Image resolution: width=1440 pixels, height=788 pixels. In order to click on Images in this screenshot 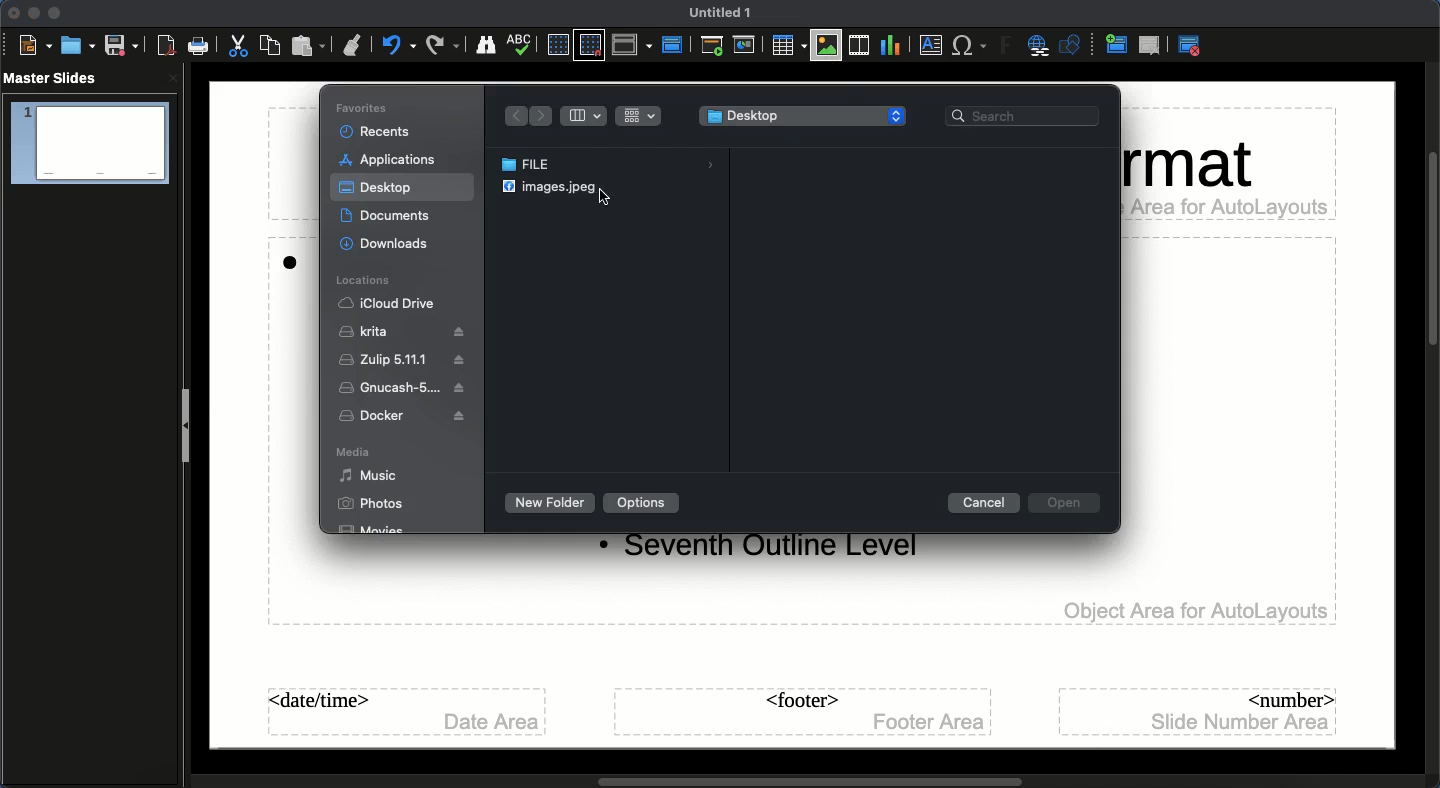, I will do `click(825, 49)`.